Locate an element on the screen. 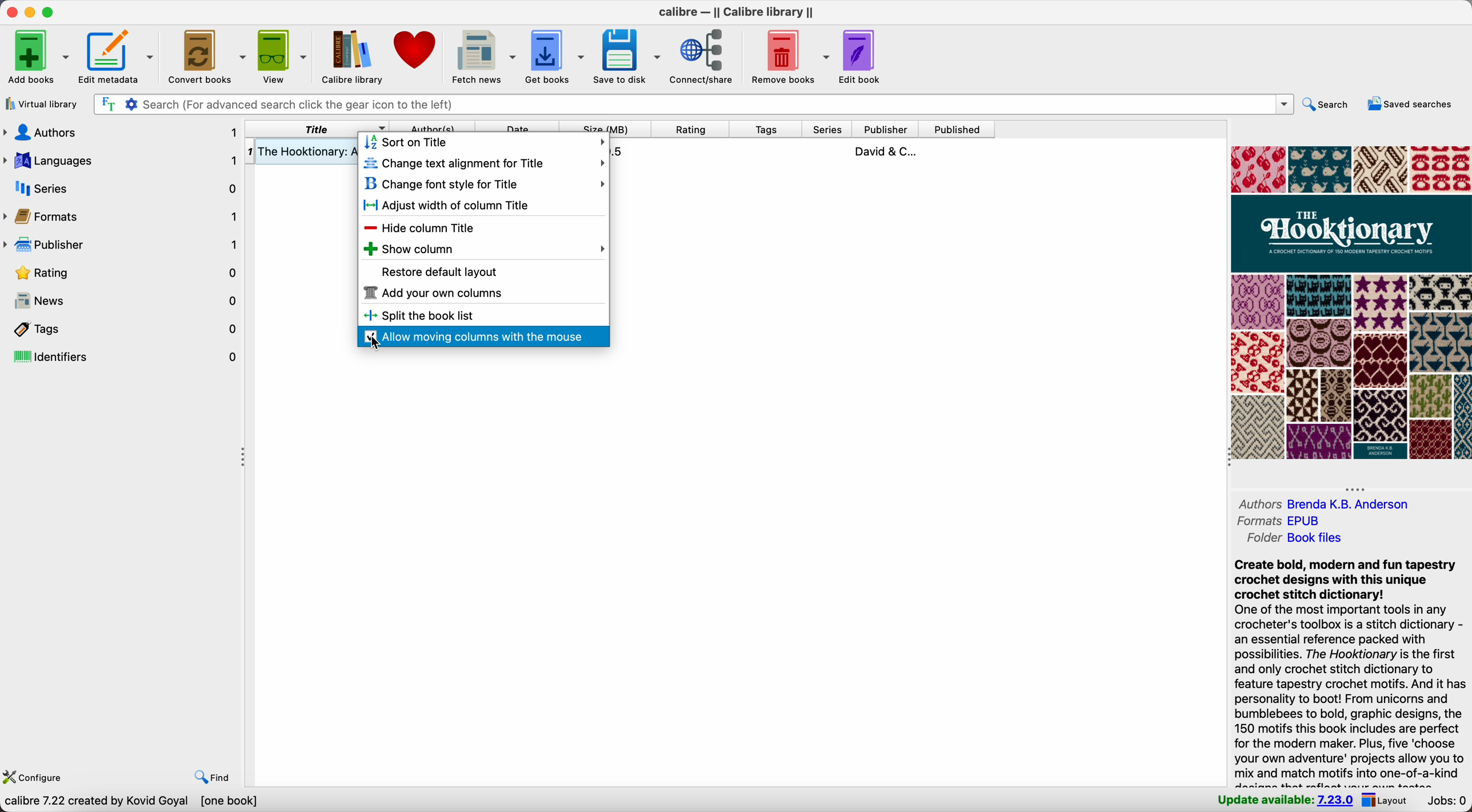 The height and width of the screenshot is (812, 1472). rating is located at coordinates (690, 129).